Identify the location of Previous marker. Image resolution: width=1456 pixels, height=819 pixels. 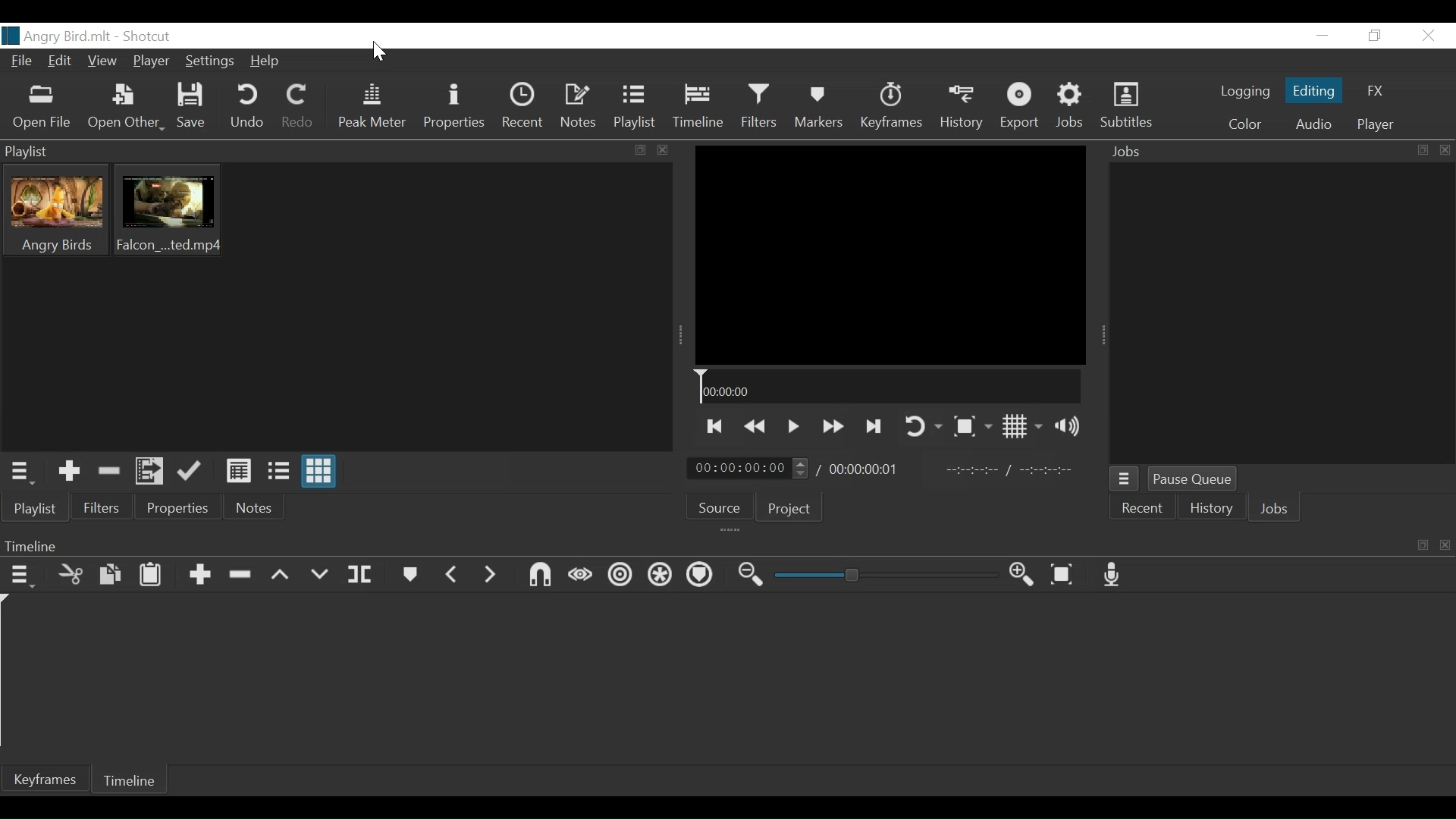
(454, 575).